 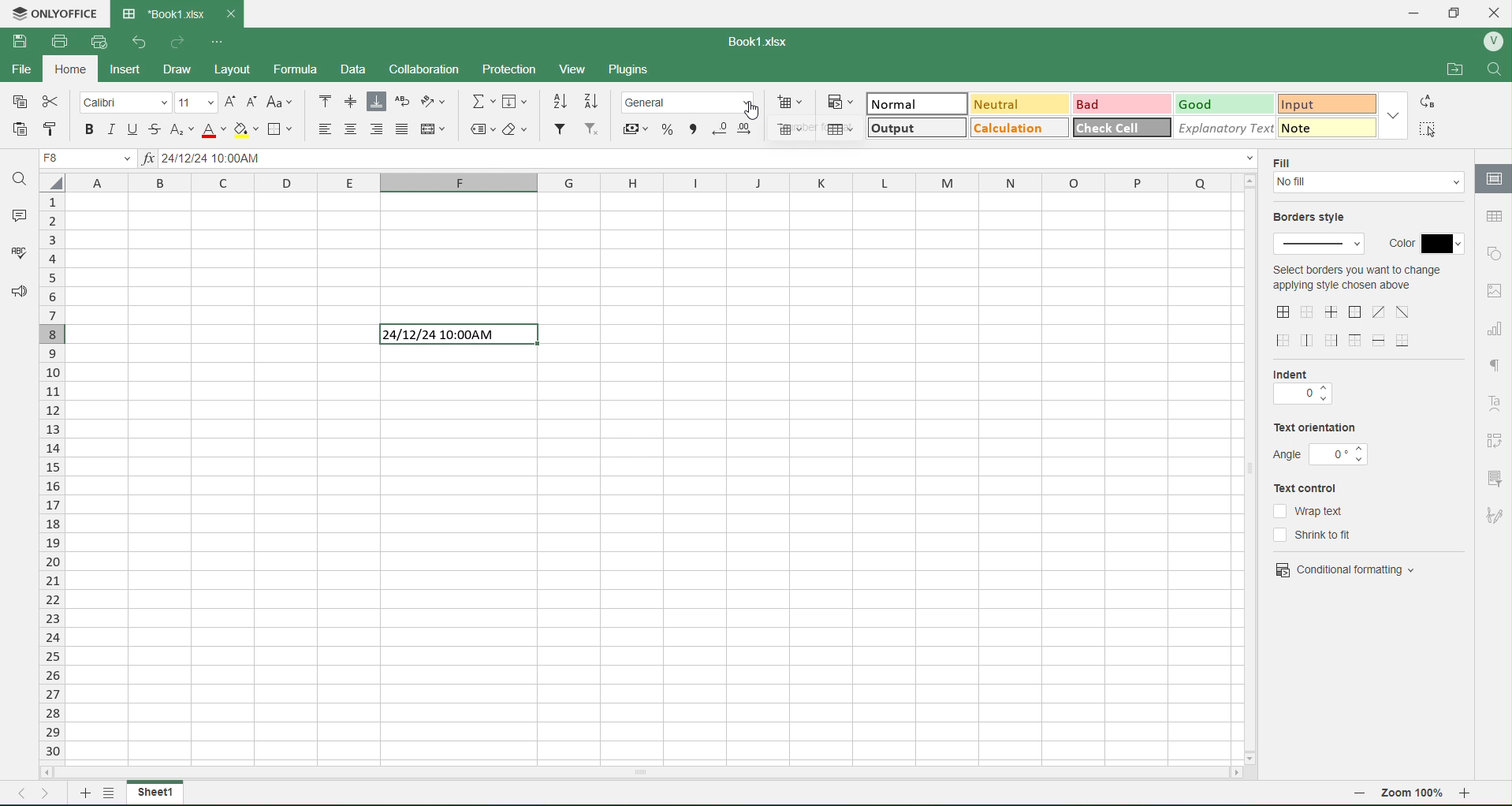 What do you see at coordinates (90, 129) in the screenshot?
I see `Bold` at bounding box center [90, 129].